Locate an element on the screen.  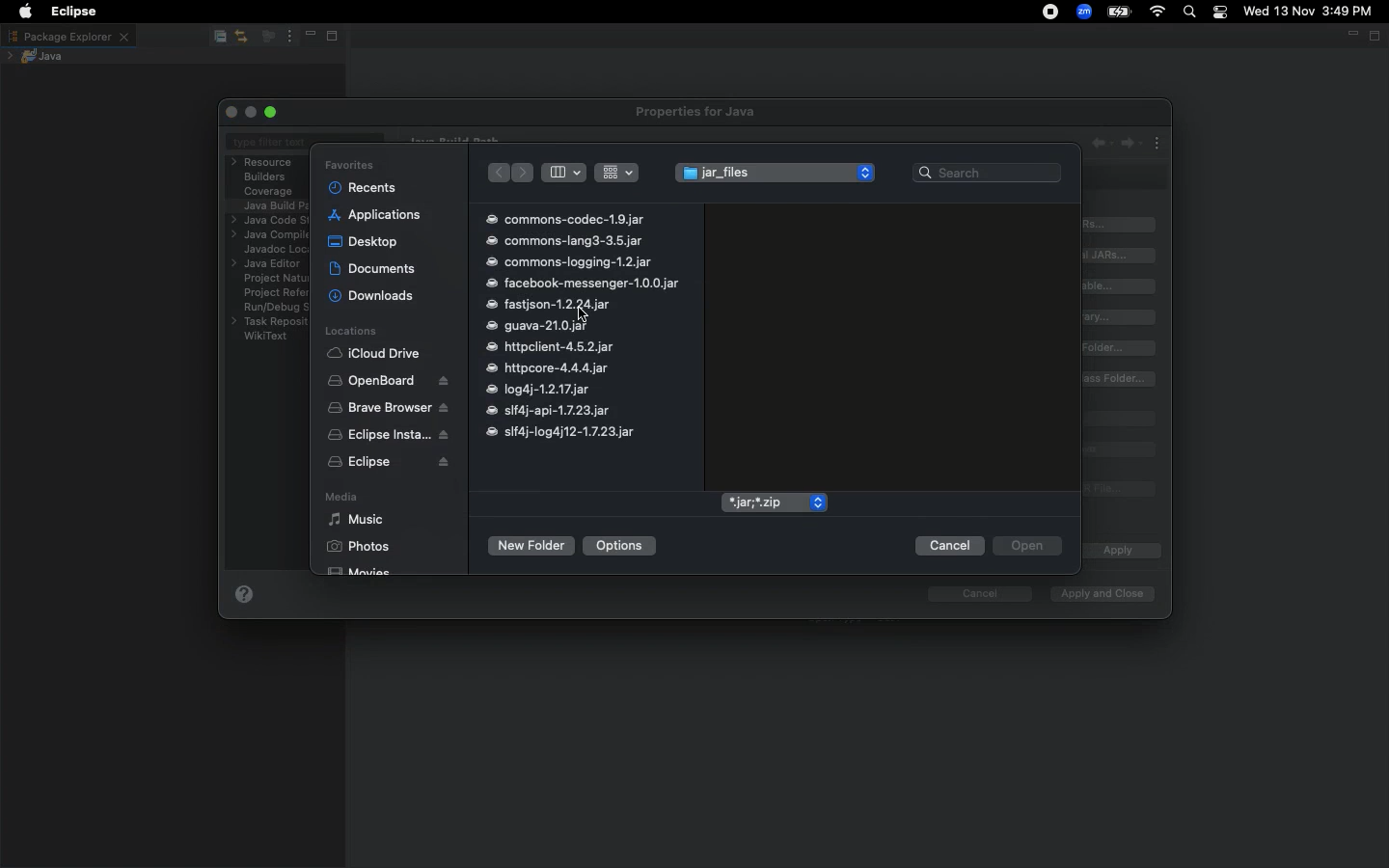
OpenBoard is located at coordinates (390, 381).